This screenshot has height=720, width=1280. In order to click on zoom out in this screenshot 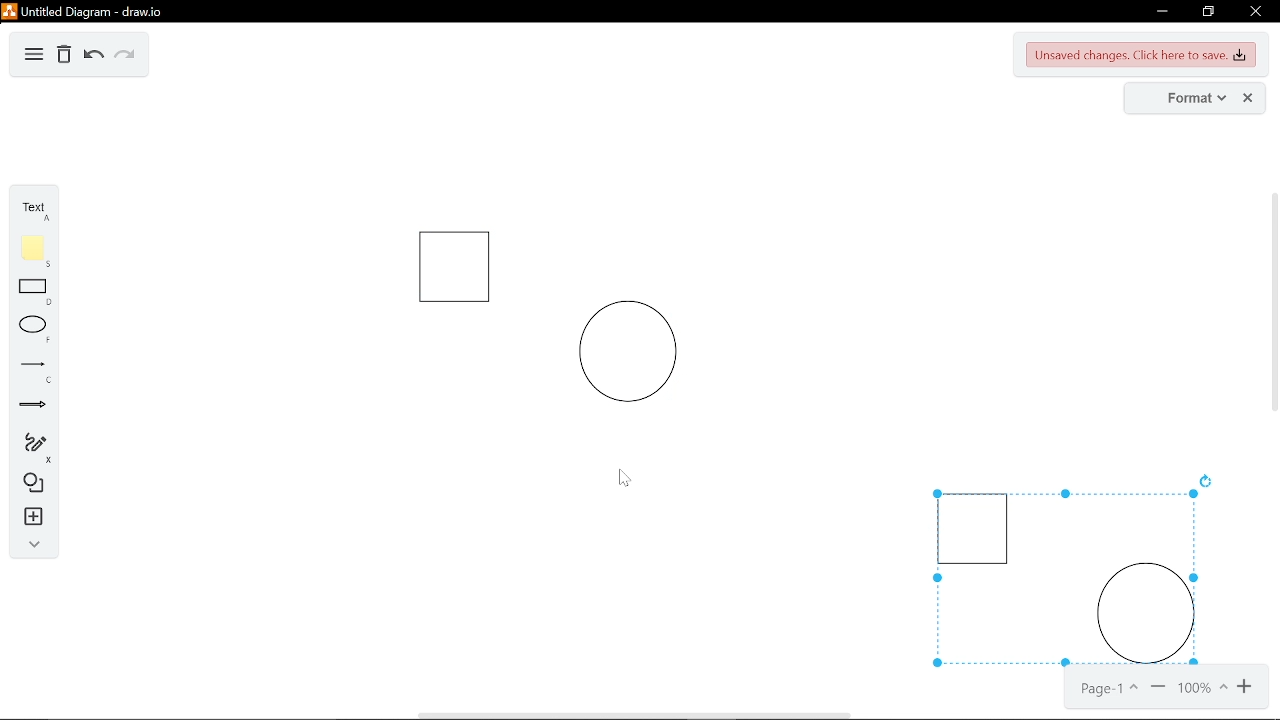, I will do `click(1246, 688)`.